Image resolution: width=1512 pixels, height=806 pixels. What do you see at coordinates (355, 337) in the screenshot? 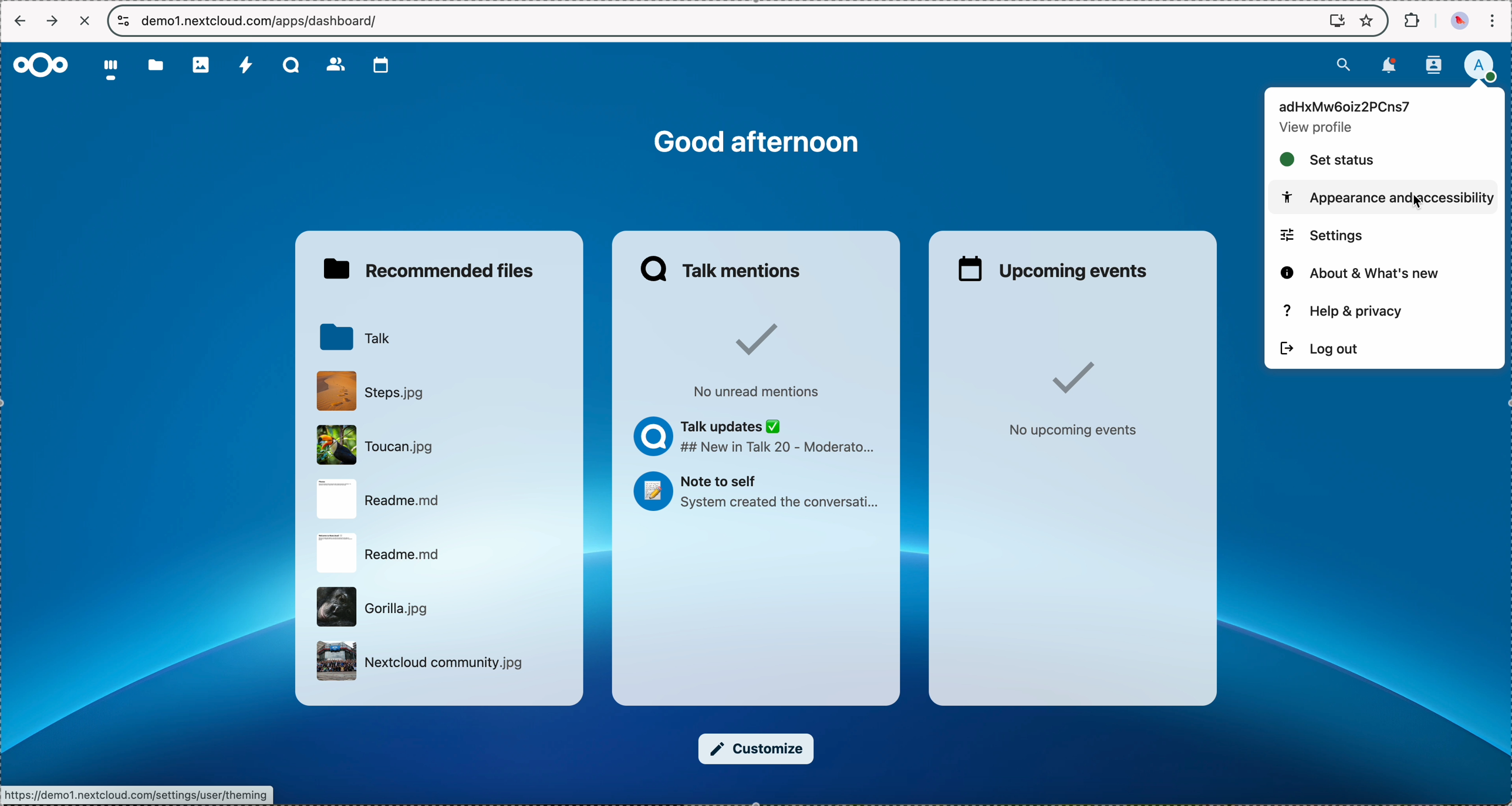
I see `talk folder` at bounding box center [355, 337].